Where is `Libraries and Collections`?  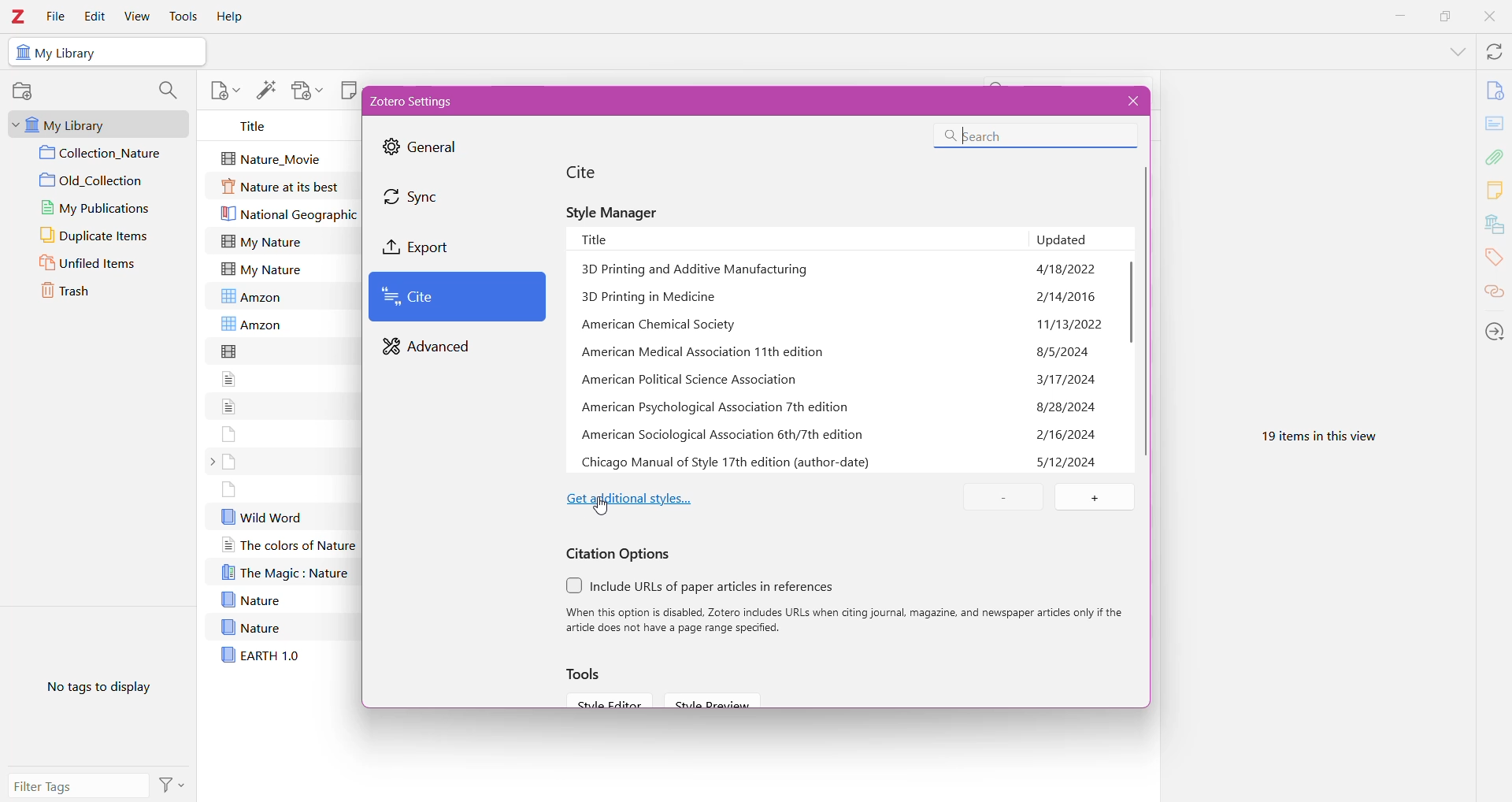
Libraries and Collections is located at coordinates (1494, 225).